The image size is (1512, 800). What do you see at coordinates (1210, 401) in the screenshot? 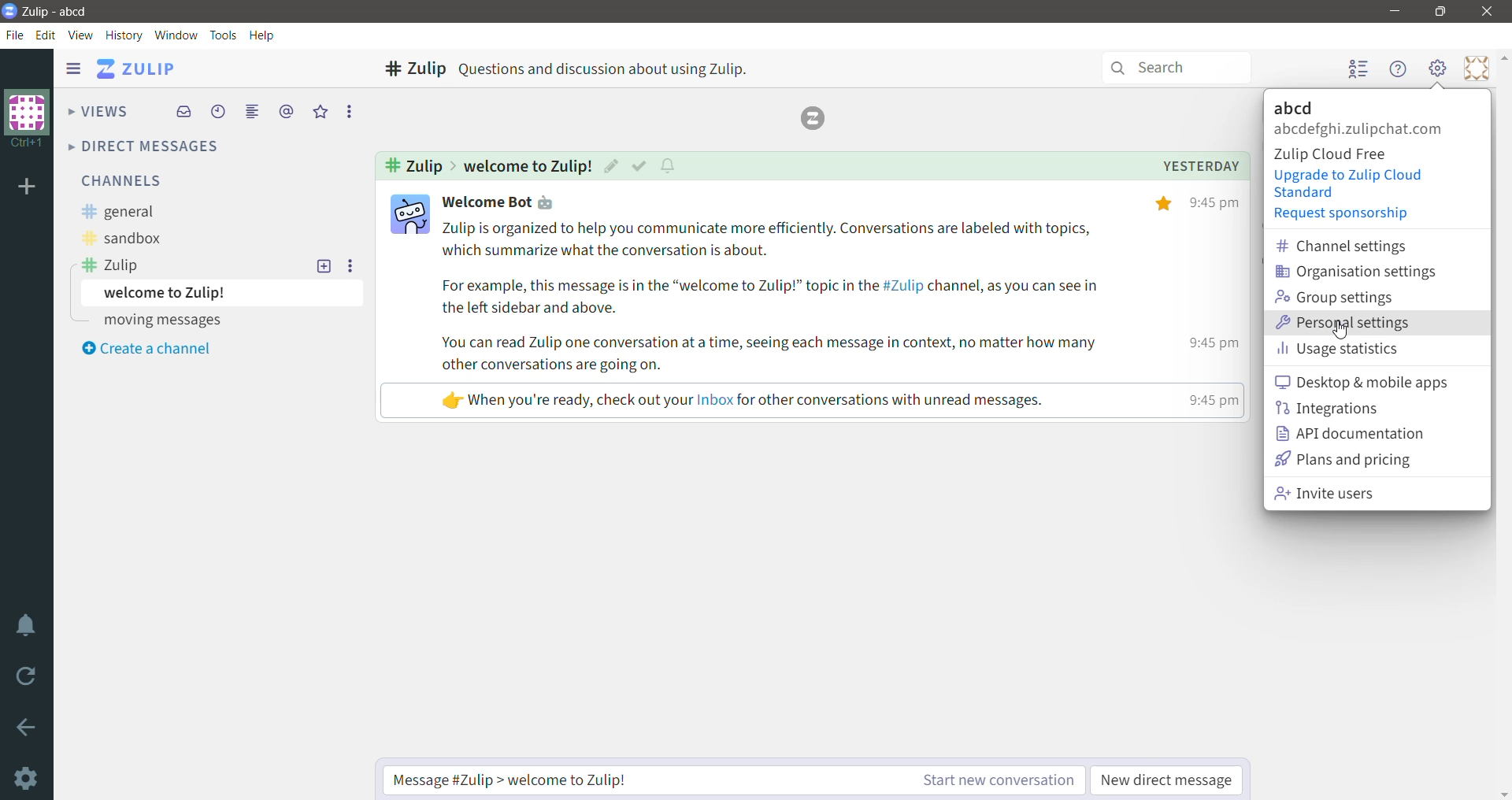
I see `time` at bounding box center [1210, 401].